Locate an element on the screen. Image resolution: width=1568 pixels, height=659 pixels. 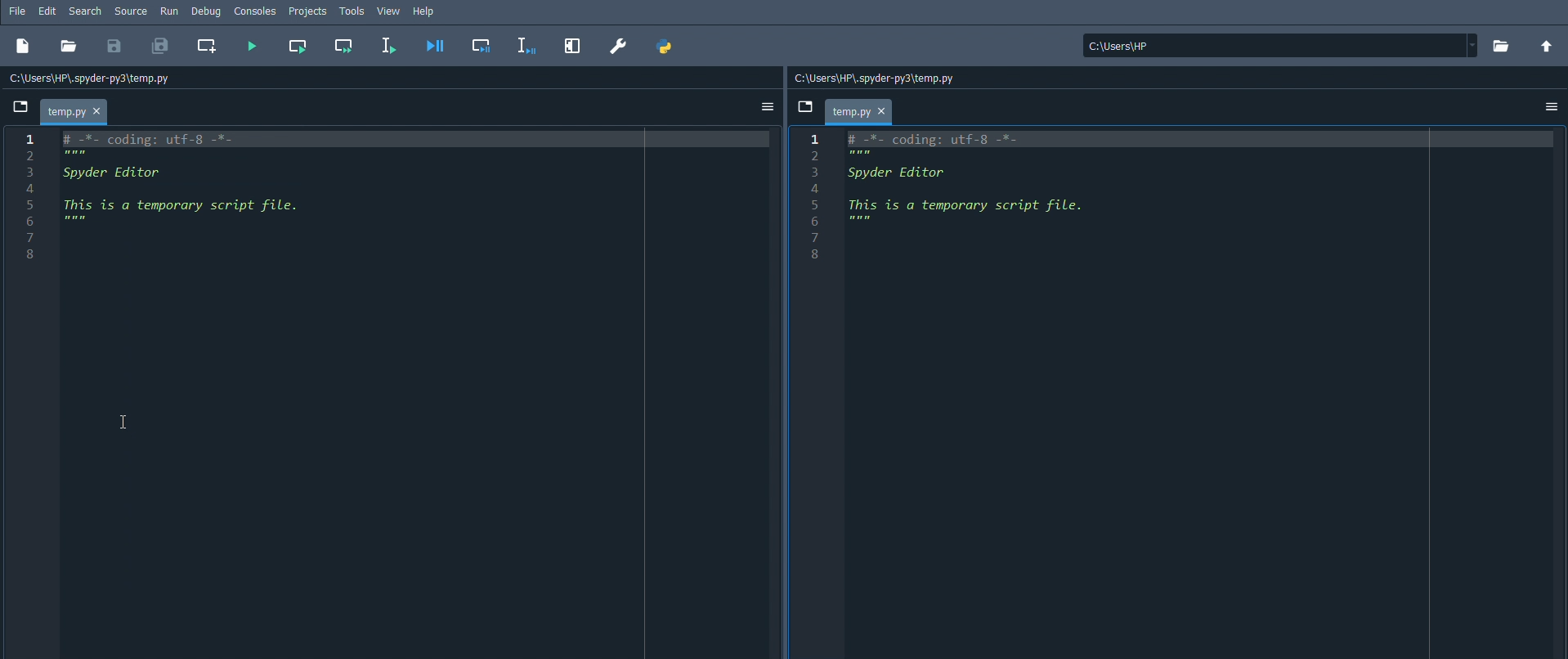
Run current cell is located at coordinates (298, 46).